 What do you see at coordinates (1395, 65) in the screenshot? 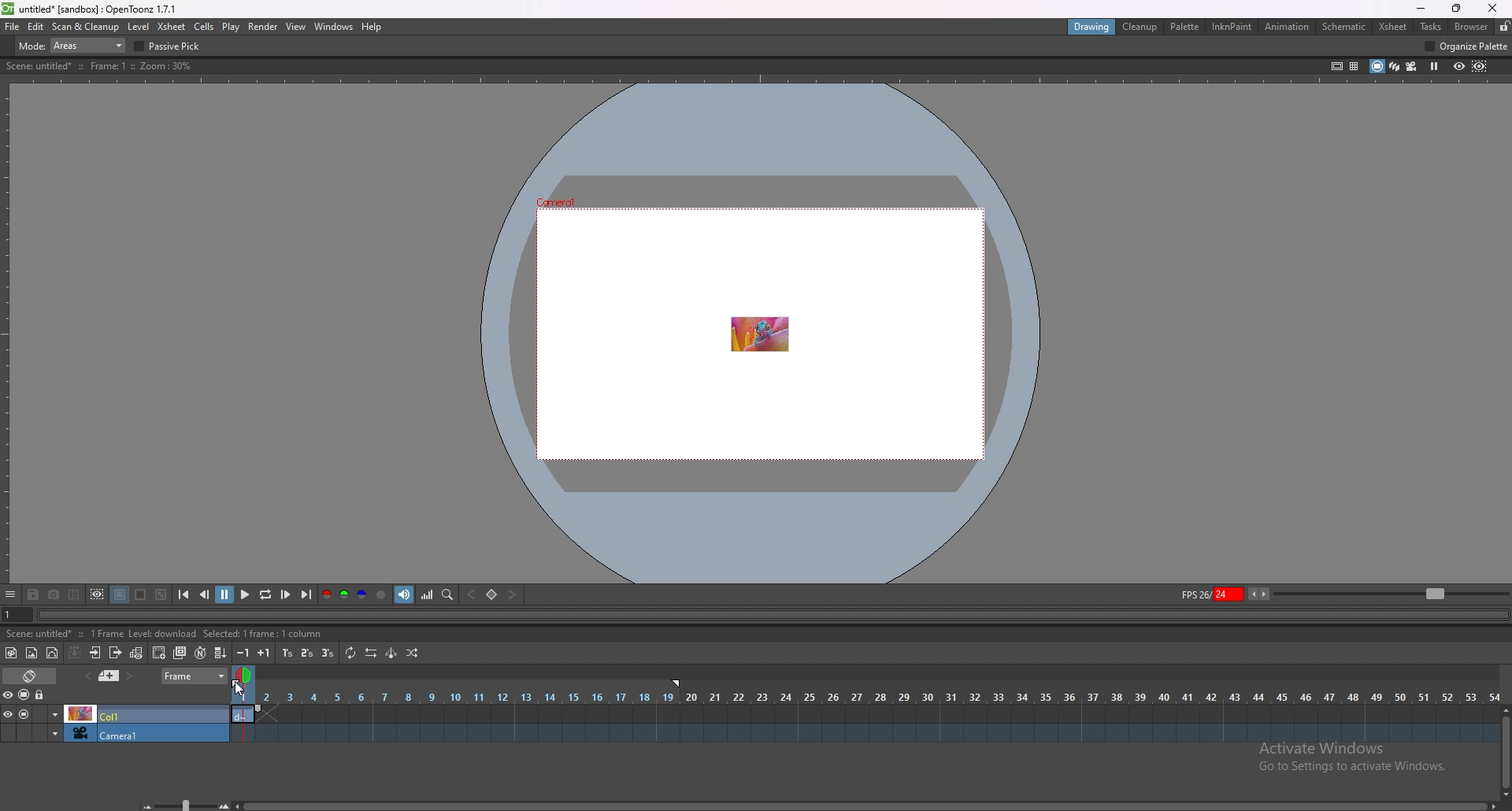
I see `3d` at bounding box center [1395, 65].